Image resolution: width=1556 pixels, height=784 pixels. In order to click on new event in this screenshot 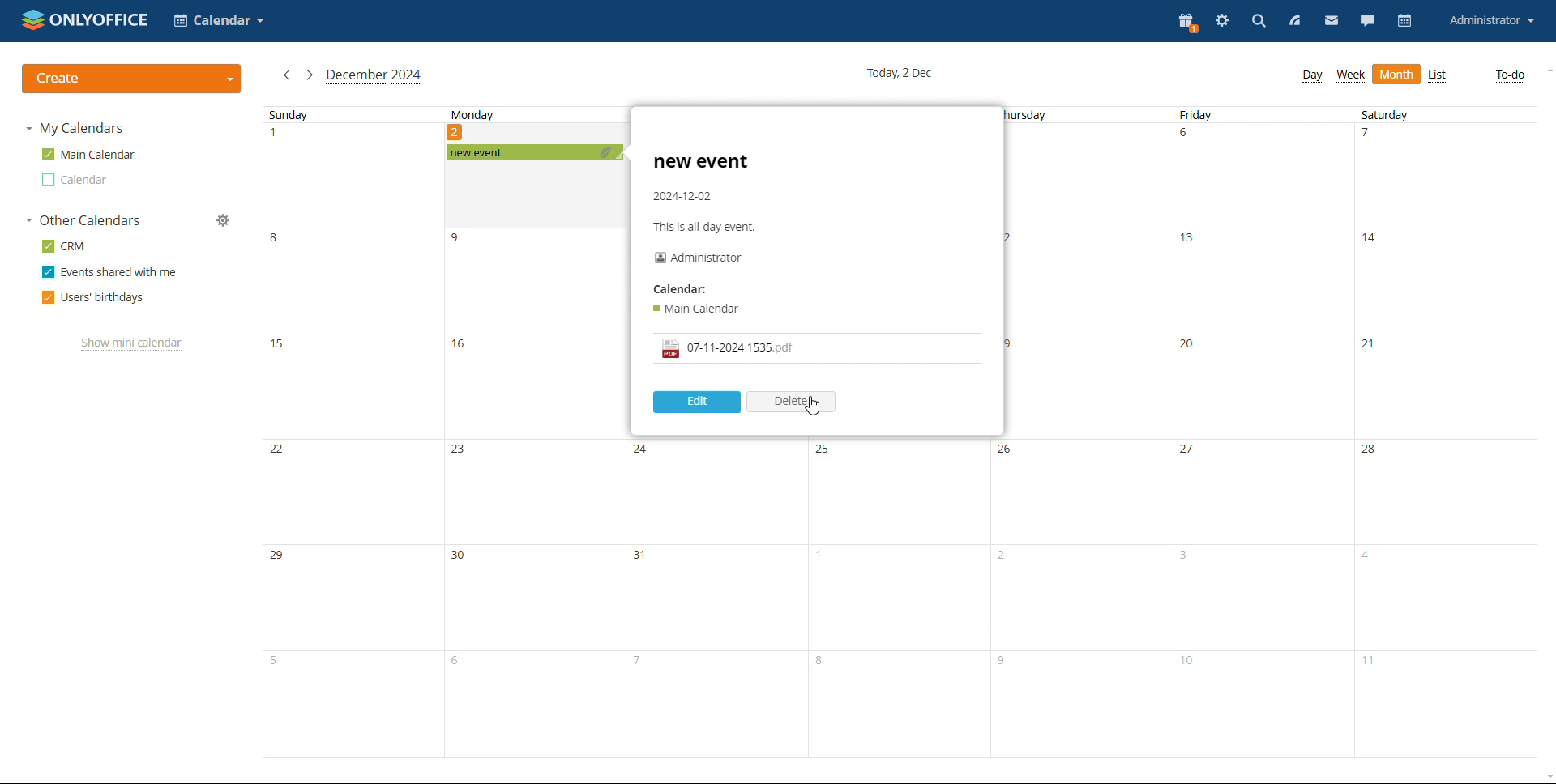, I will do `click(703, 163)`.